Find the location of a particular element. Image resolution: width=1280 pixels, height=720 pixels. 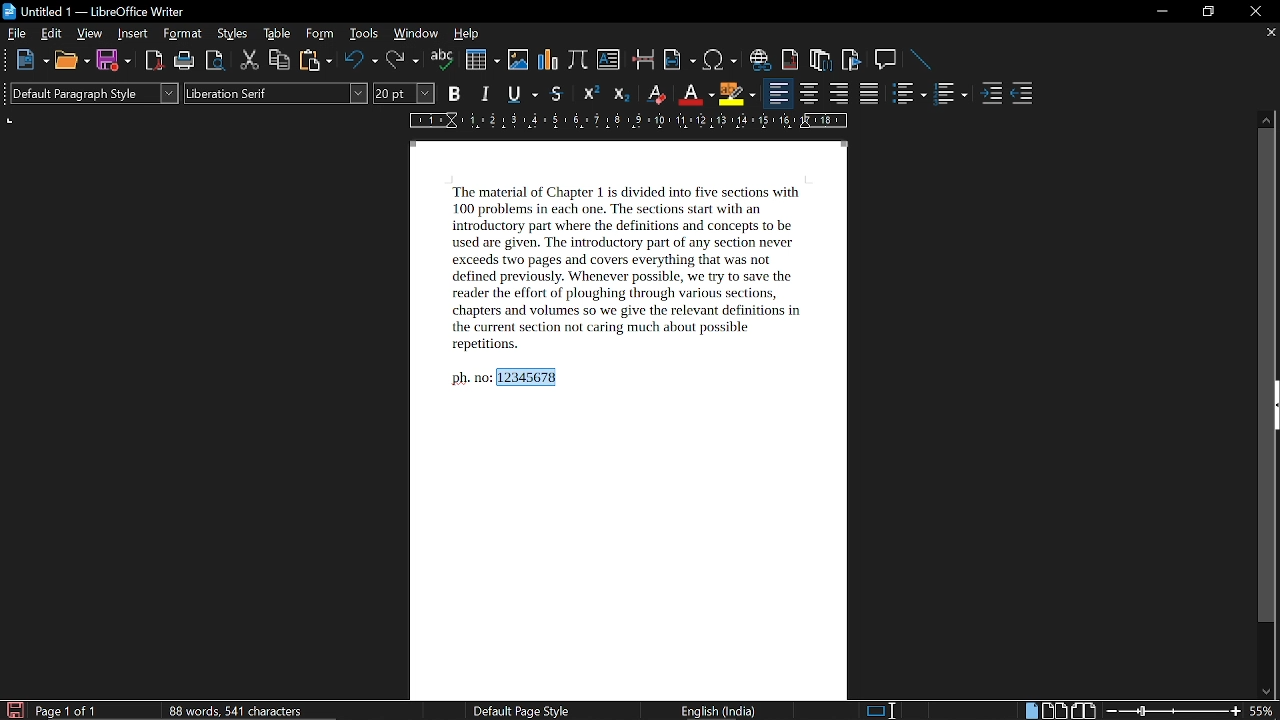

view is located at coordinates (90, 35).